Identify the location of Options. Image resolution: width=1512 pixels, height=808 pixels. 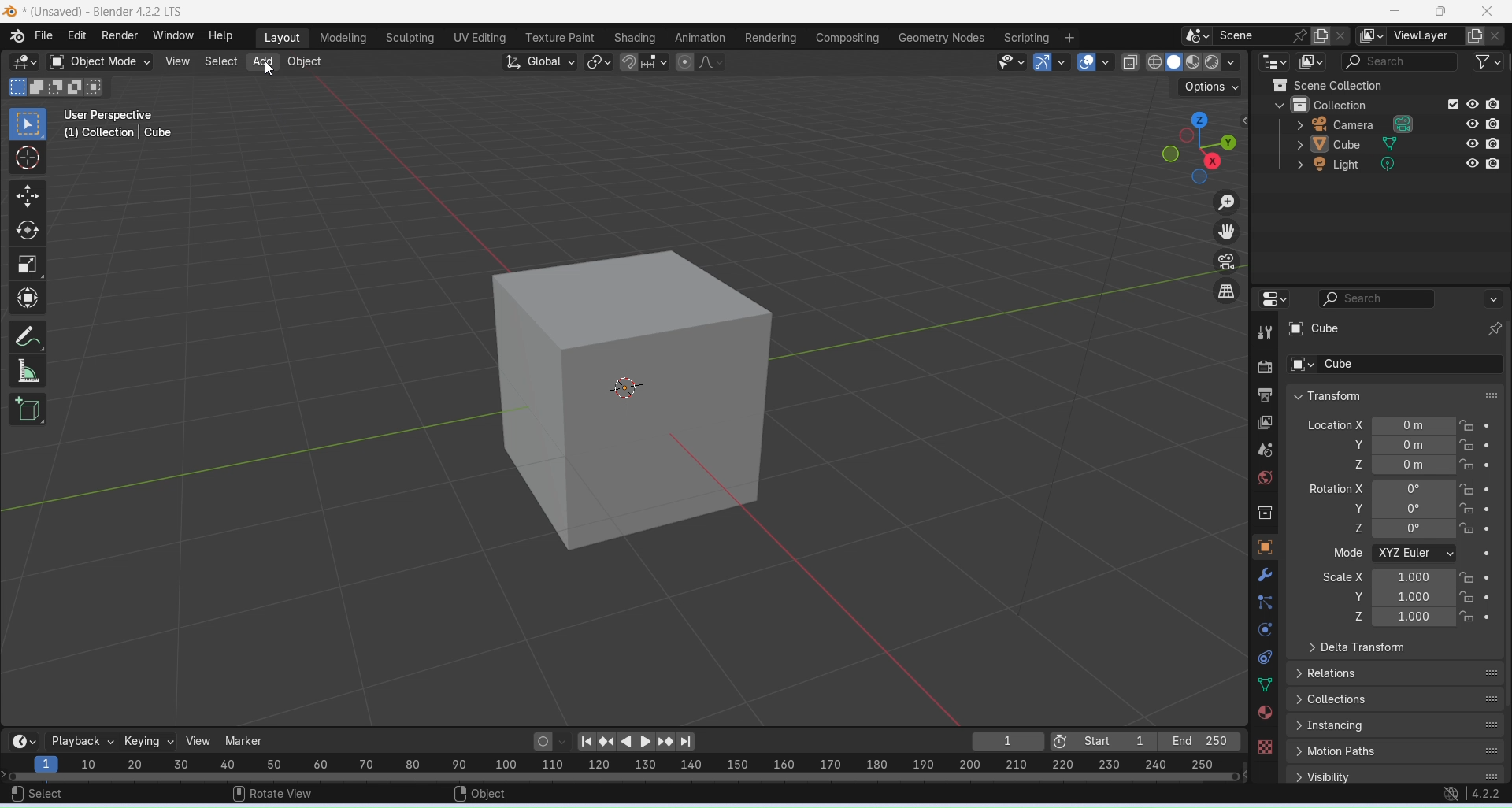
(1207, 86).